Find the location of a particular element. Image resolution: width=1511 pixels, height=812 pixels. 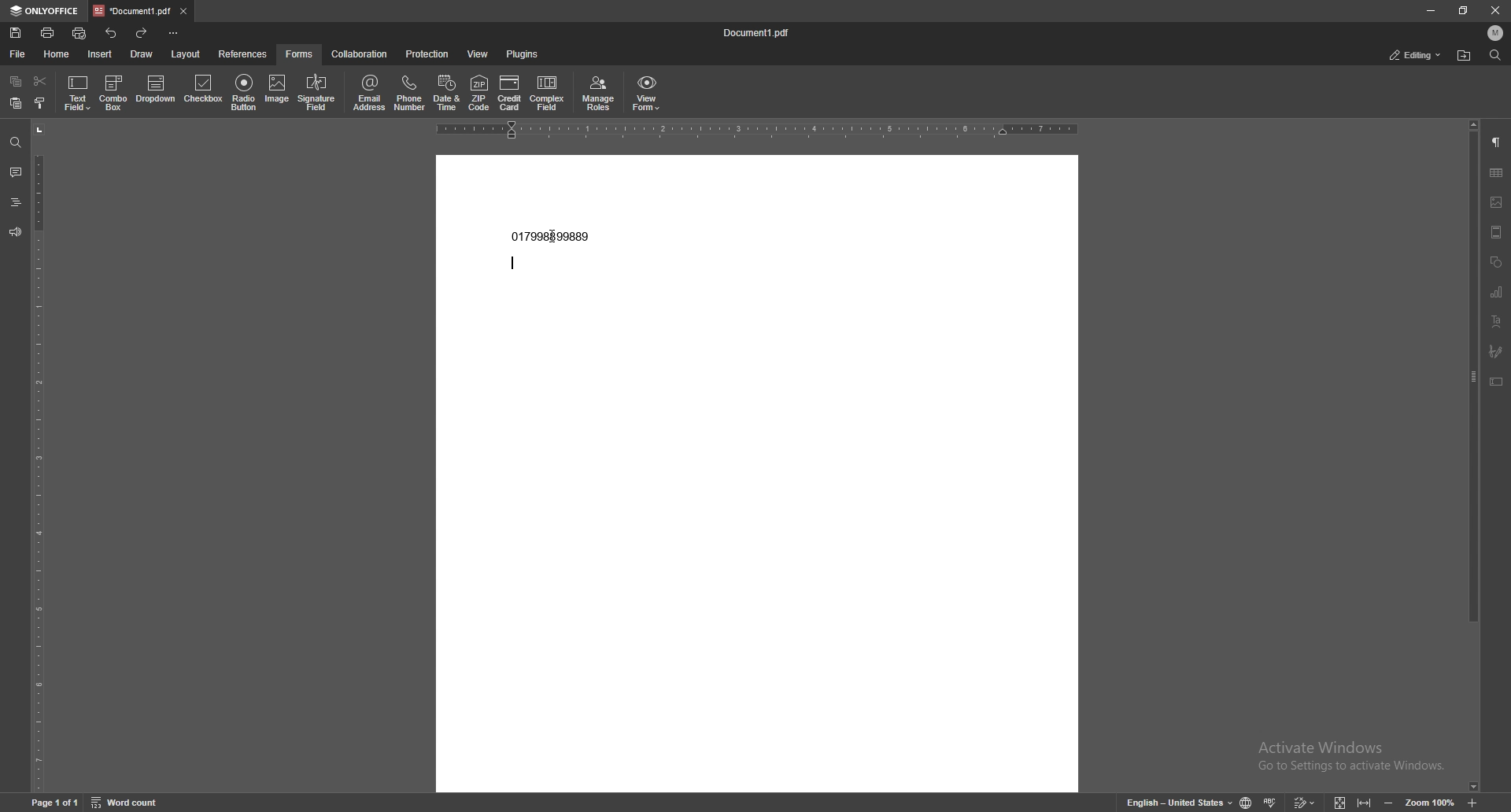

quickprint is located at coordinates (79, 34).